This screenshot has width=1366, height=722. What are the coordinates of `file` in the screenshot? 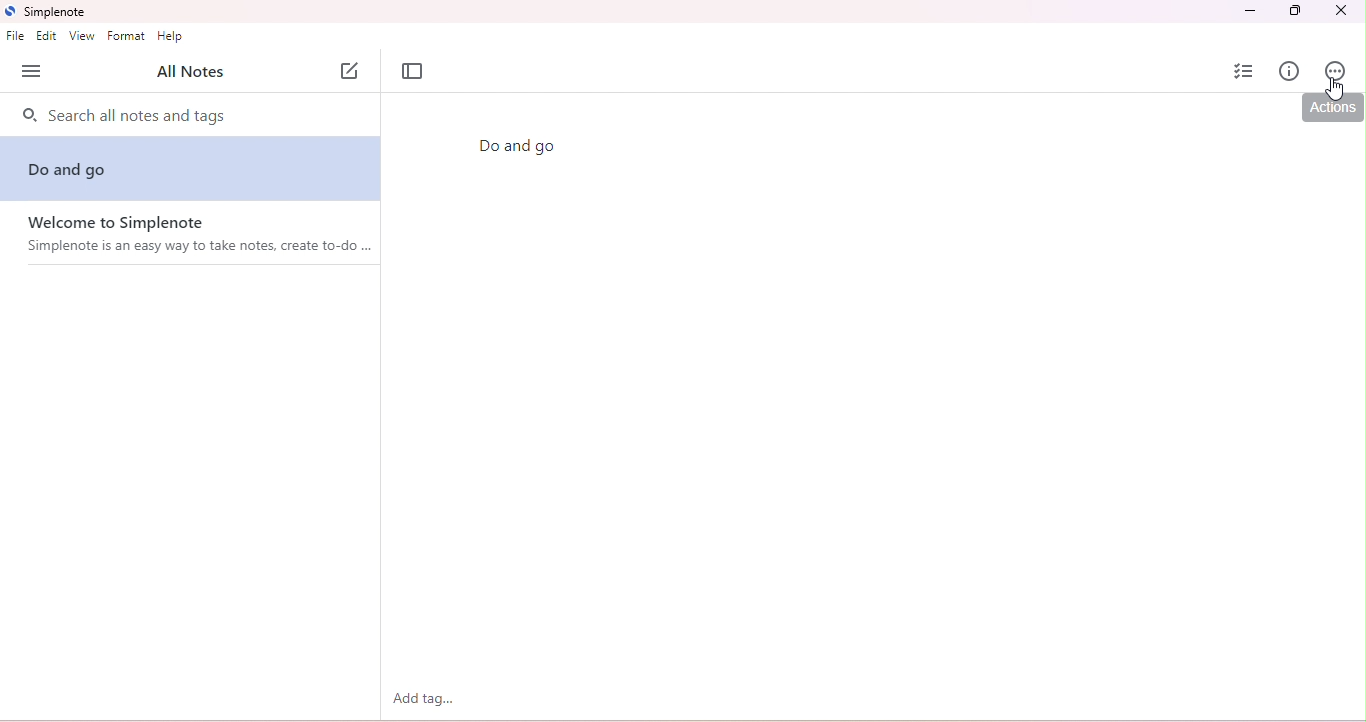 It's located at (15, 38).